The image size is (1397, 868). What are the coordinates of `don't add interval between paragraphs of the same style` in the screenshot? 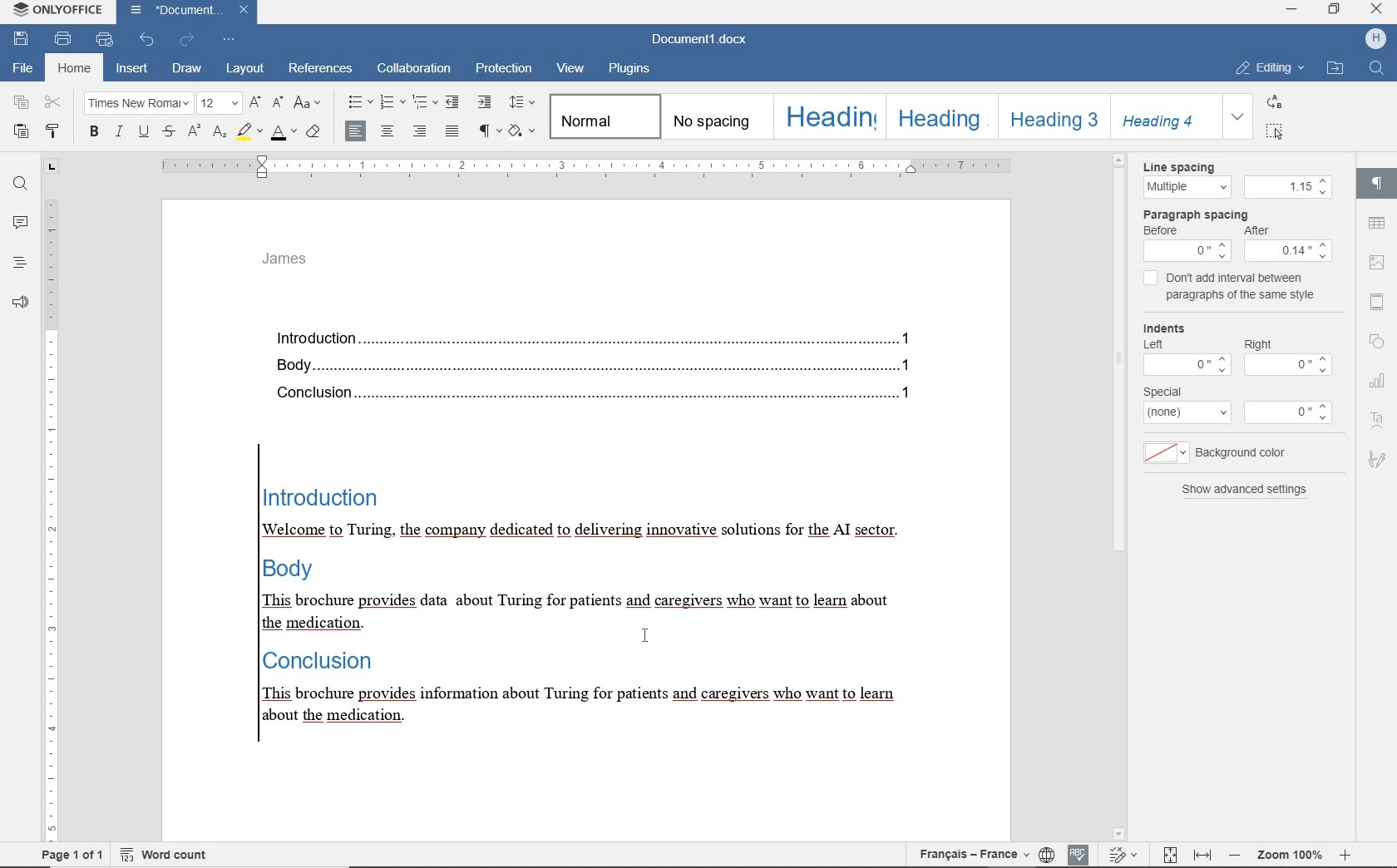 It's located at (1246, 289).